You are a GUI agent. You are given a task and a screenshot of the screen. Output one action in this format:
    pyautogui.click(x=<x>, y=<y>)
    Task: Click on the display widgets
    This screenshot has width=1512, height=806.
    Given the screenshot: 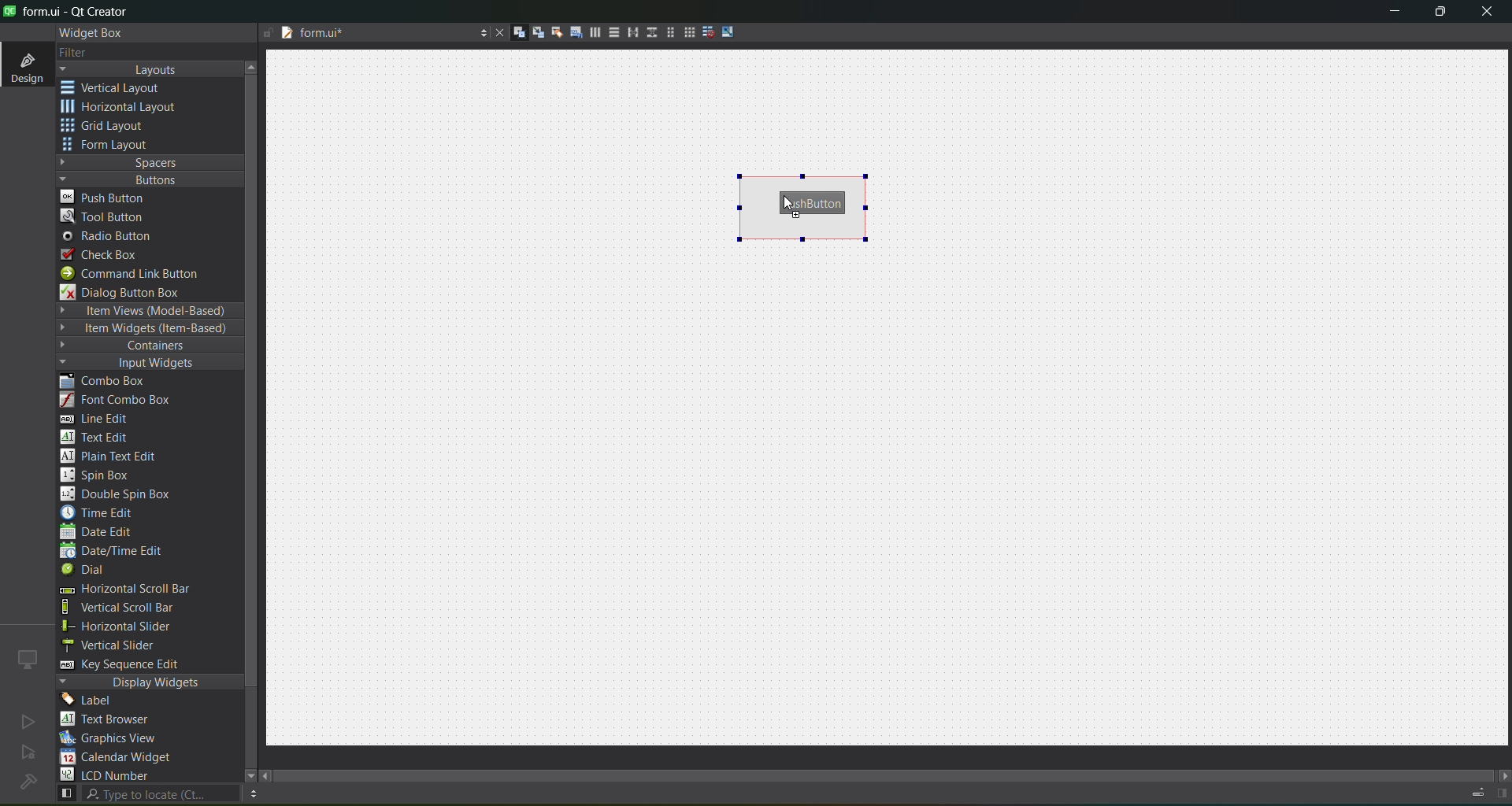 What is the action you would take?
    pyautogui.click(x=150, y=682)
    